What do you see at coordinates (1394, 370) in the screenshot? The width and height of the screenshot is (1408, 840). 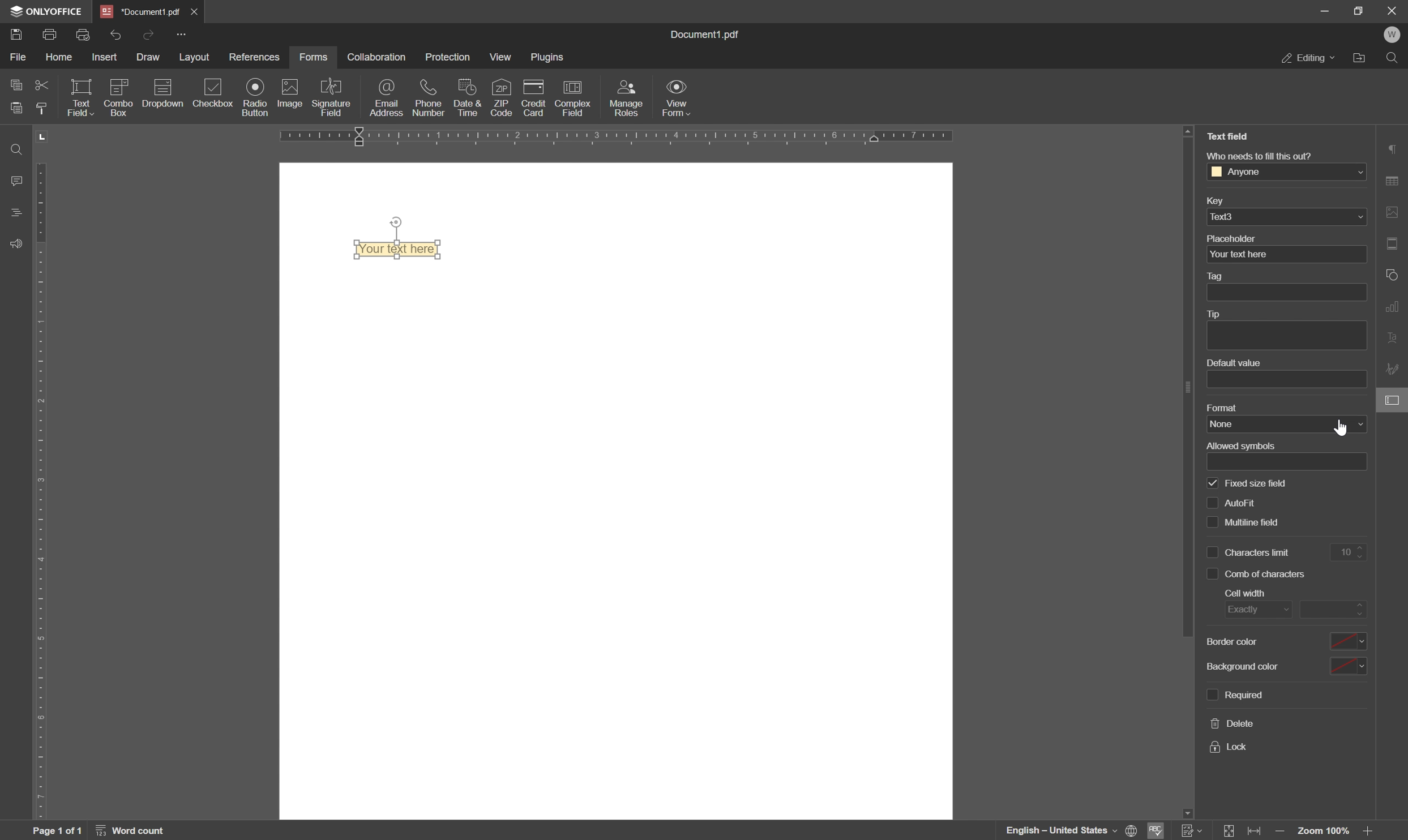 I see `signature settings` at bounding box center [1394, 370].